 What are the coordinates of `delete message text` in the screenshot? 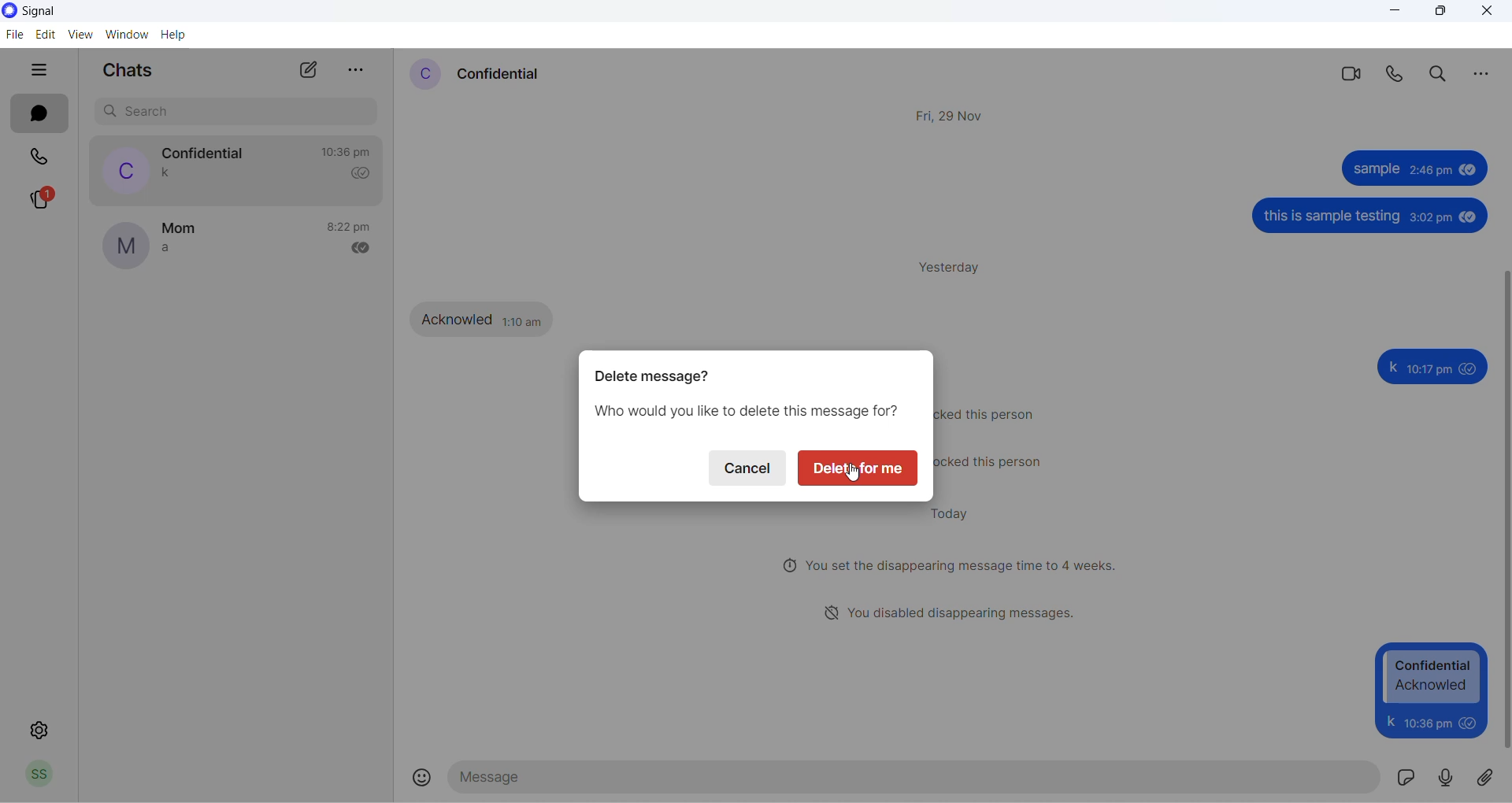 It's located at (754, 415).